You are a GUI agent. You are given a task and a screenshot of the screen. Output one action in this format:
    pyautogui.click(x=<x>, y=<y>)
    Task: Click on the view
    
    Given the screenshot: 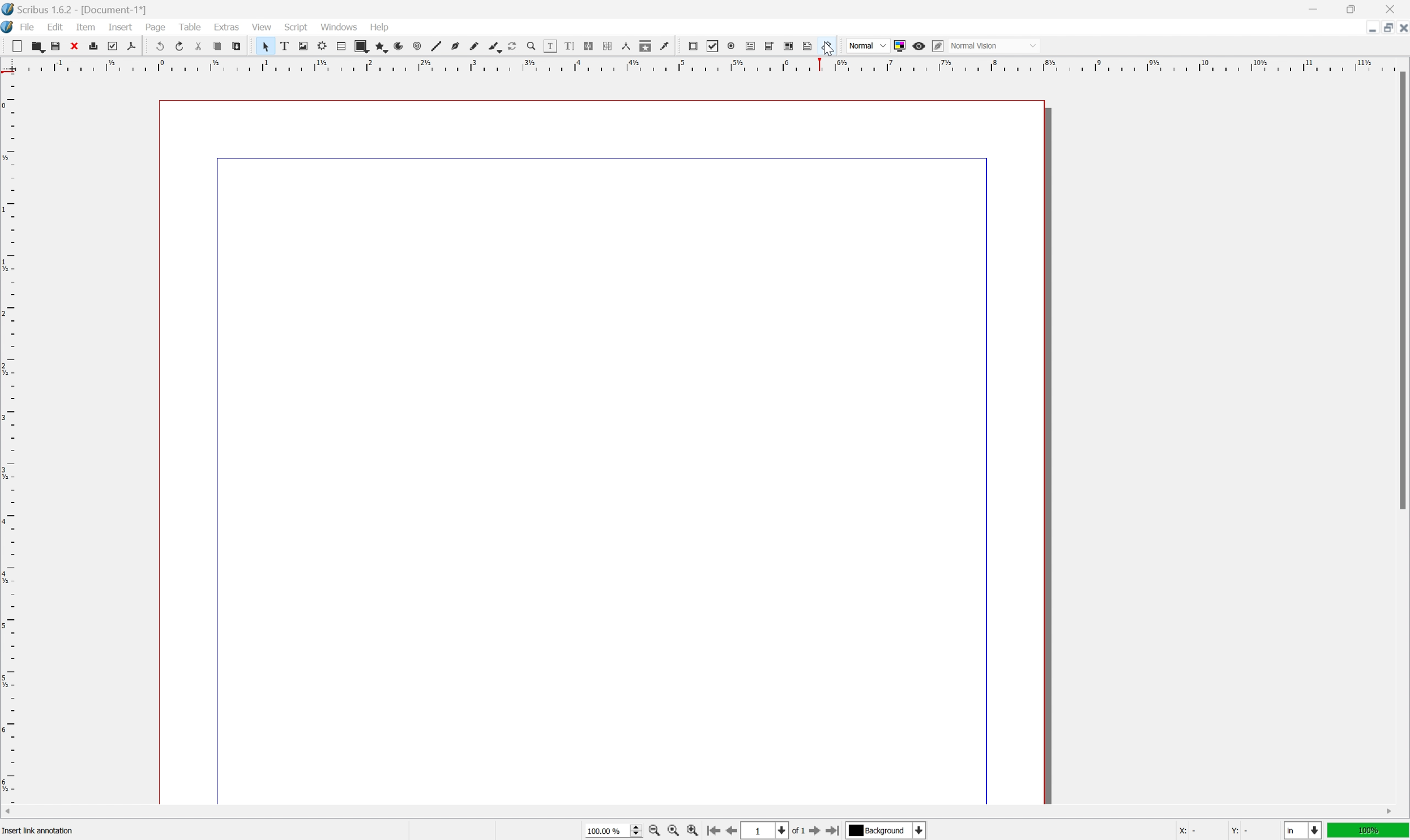 What is the action you would take?
    pyautogui.click(x=260, y=26)
    